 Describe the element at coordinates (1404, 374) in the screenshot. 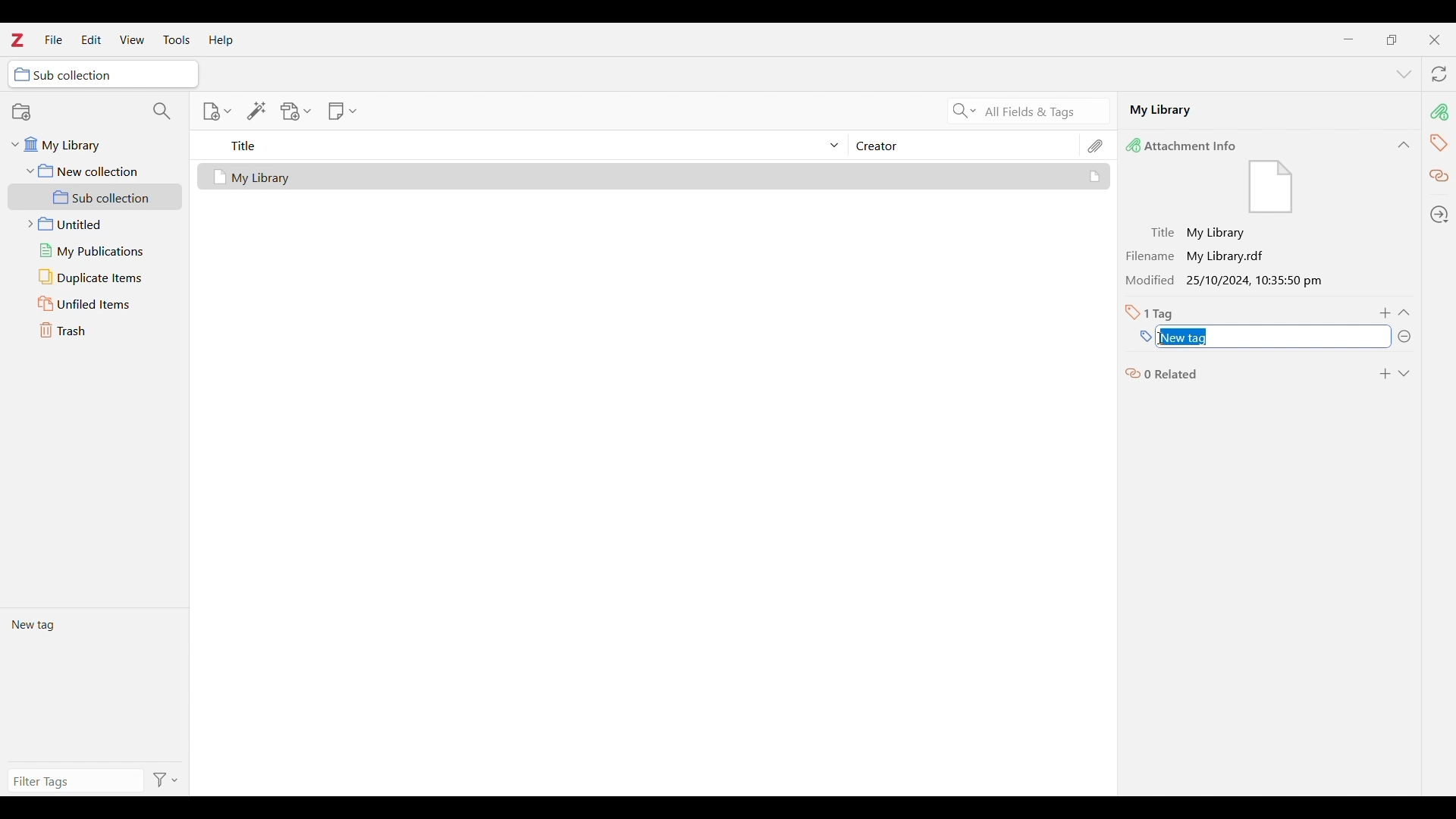

I see `Expand` at that location.